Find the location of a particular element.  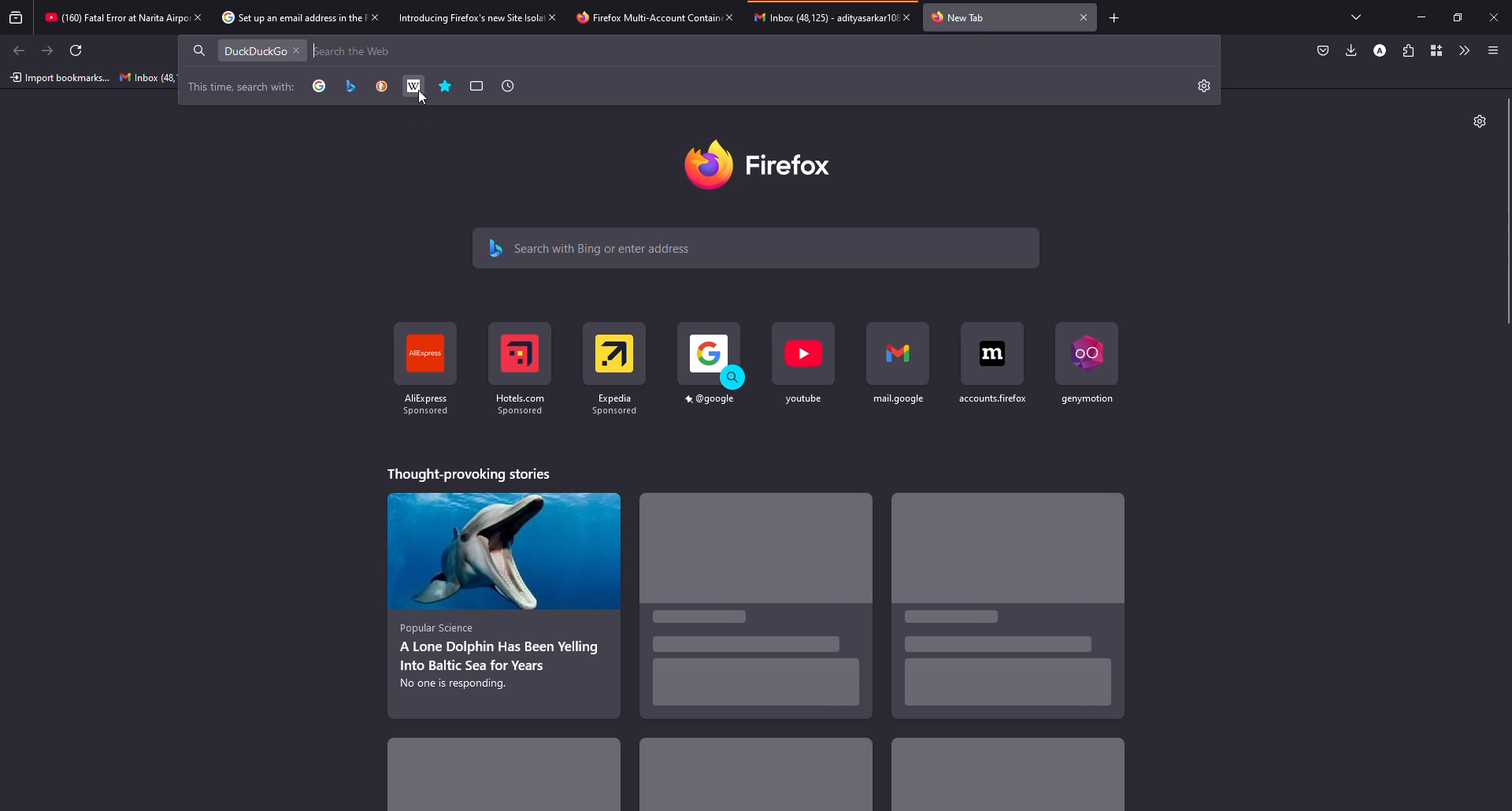

close is located at coordinates (198, 17).